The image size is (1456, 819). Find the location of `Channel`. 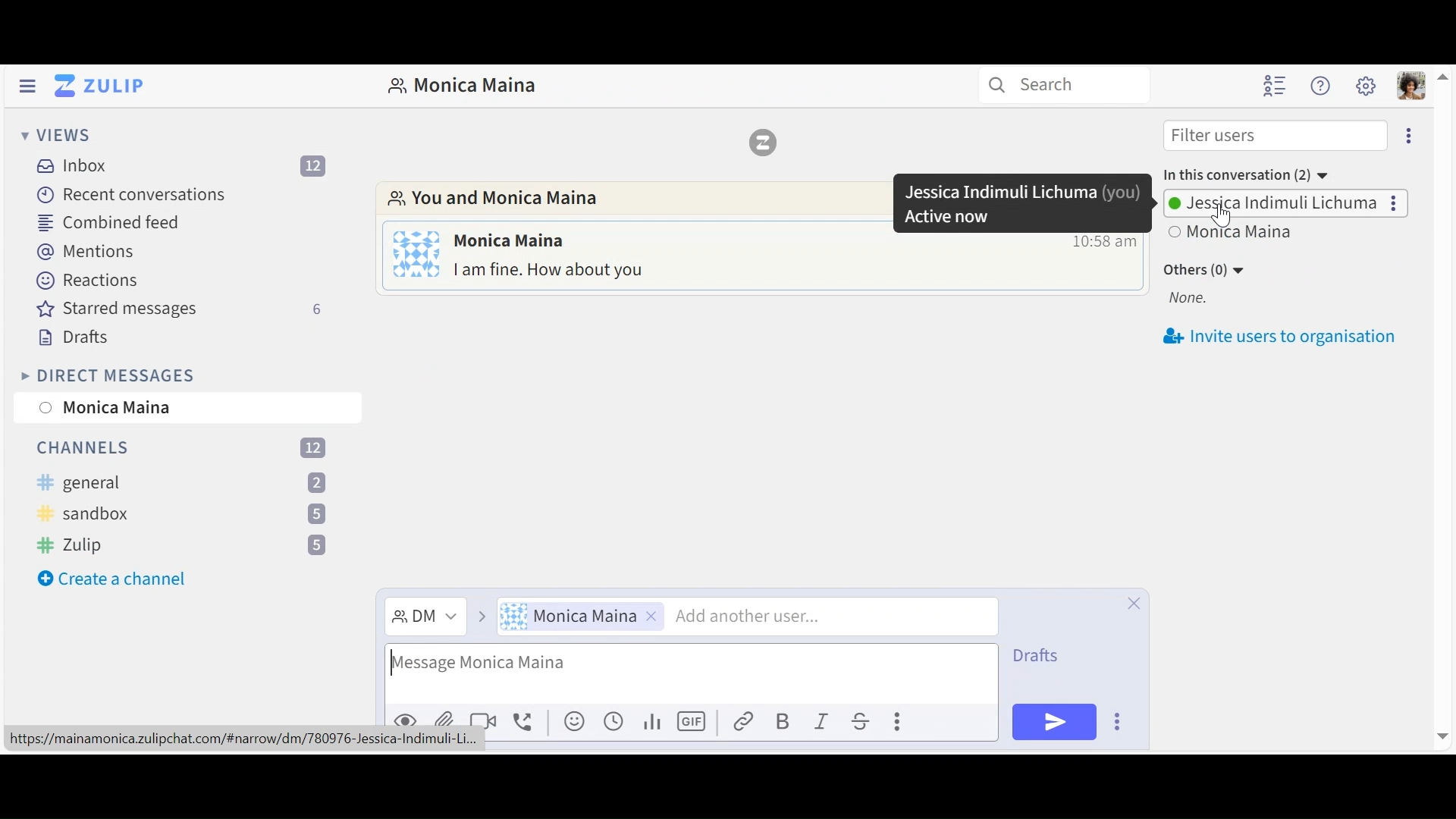

Channel is located at coordinates (181, 547).